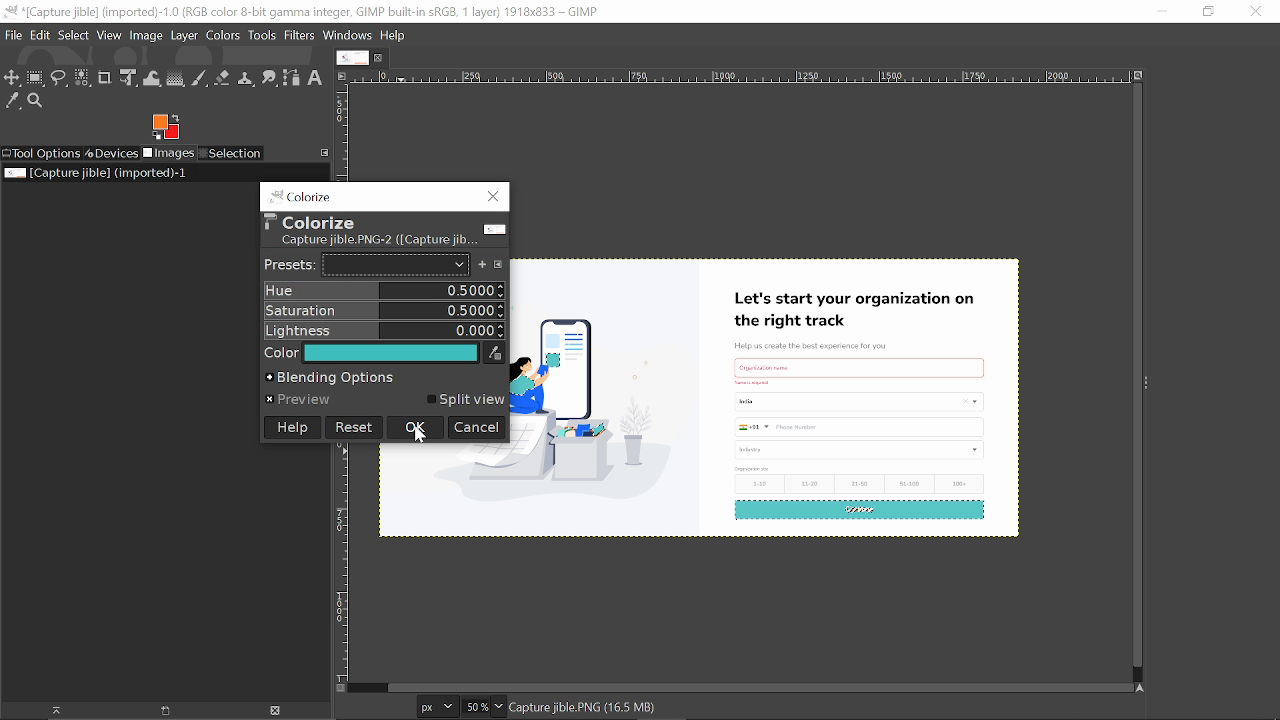  I want to click on Unit of the current image, so click(438, 706).